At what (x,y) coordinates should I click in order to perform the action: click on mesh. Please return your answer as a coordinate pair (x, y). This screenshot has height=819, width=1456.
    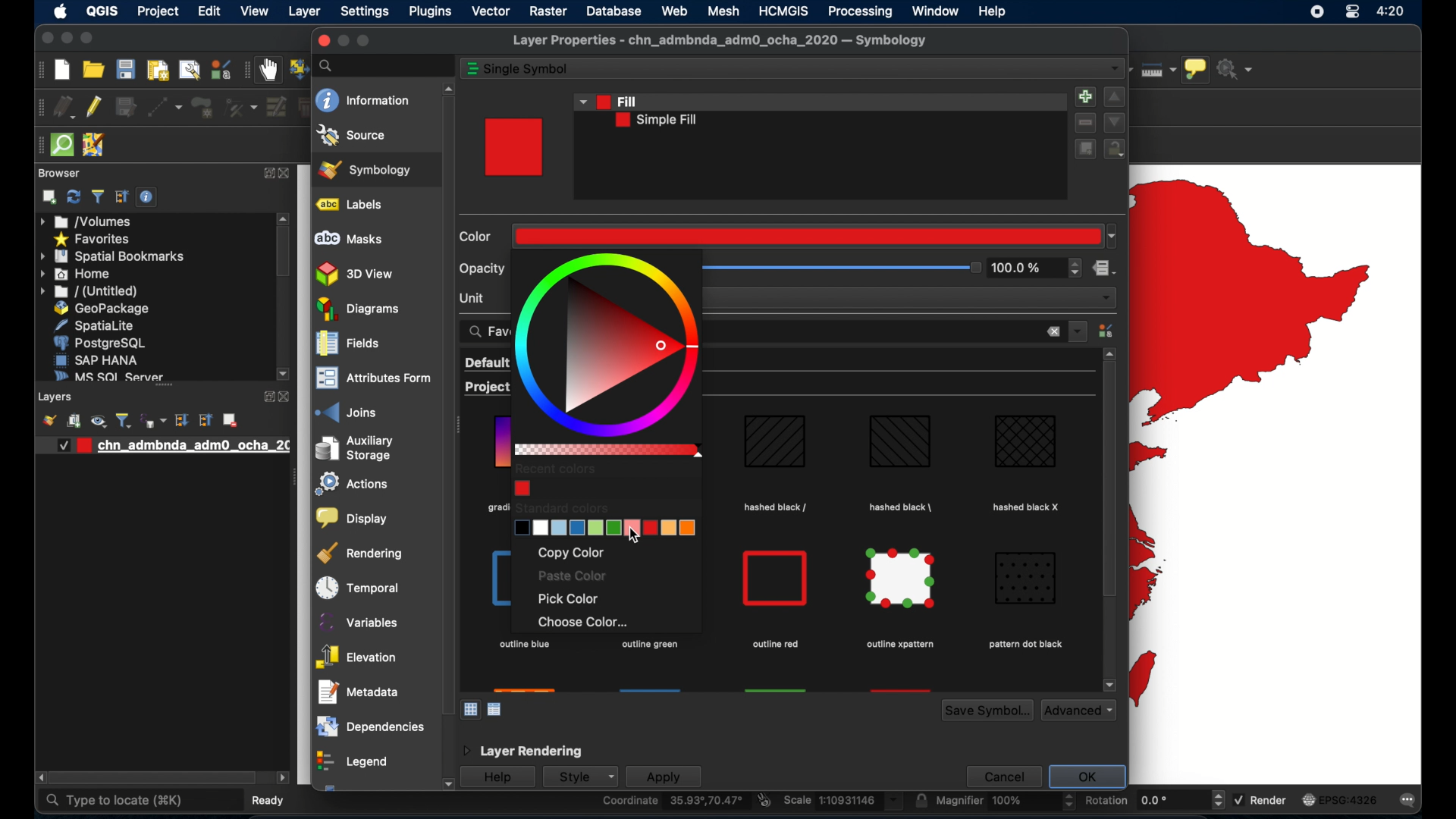
    Looking at the image, I should click on (723, 11).